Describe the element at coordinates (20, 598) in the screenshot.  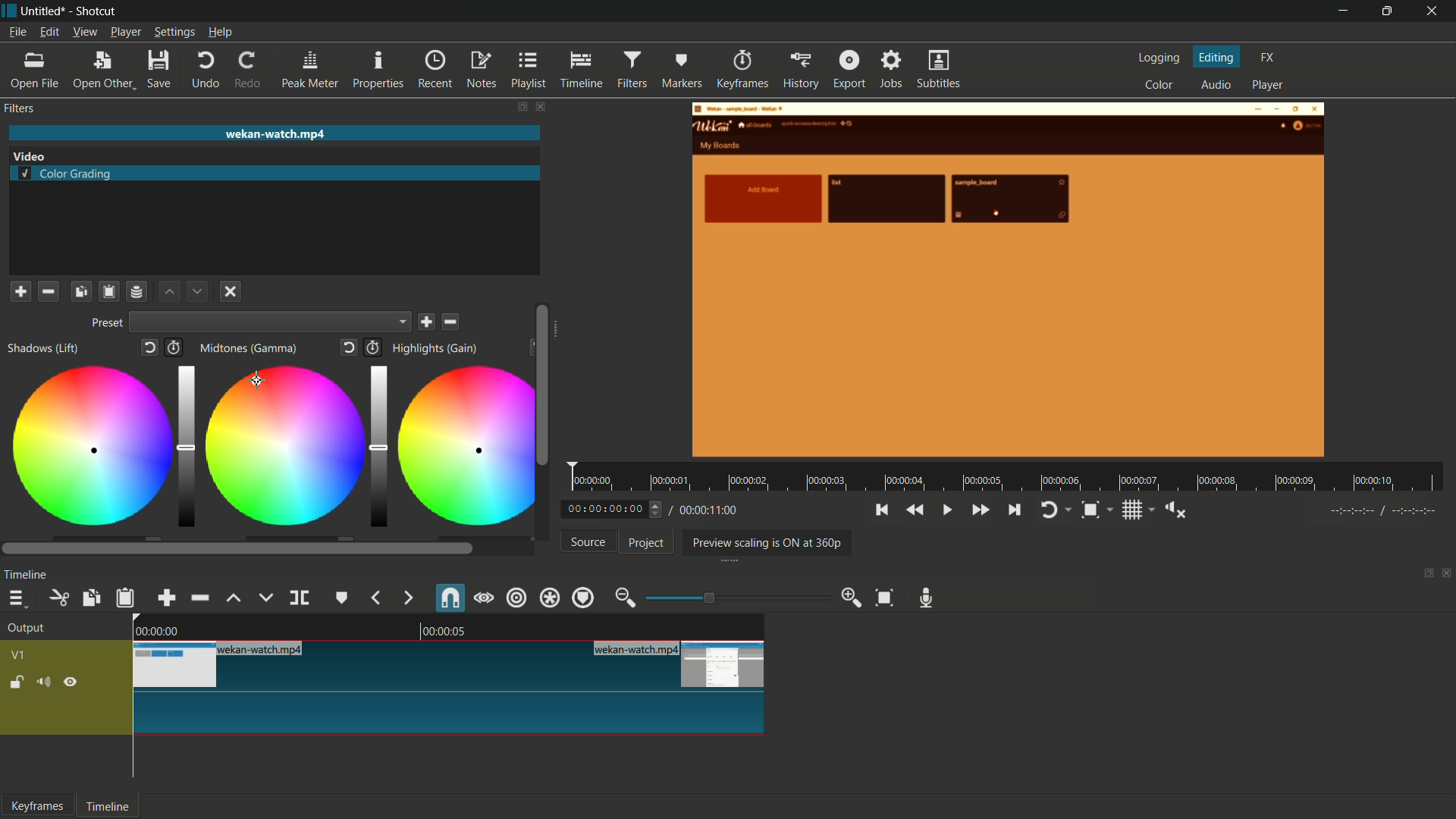
I see `timeline menu` at that location.